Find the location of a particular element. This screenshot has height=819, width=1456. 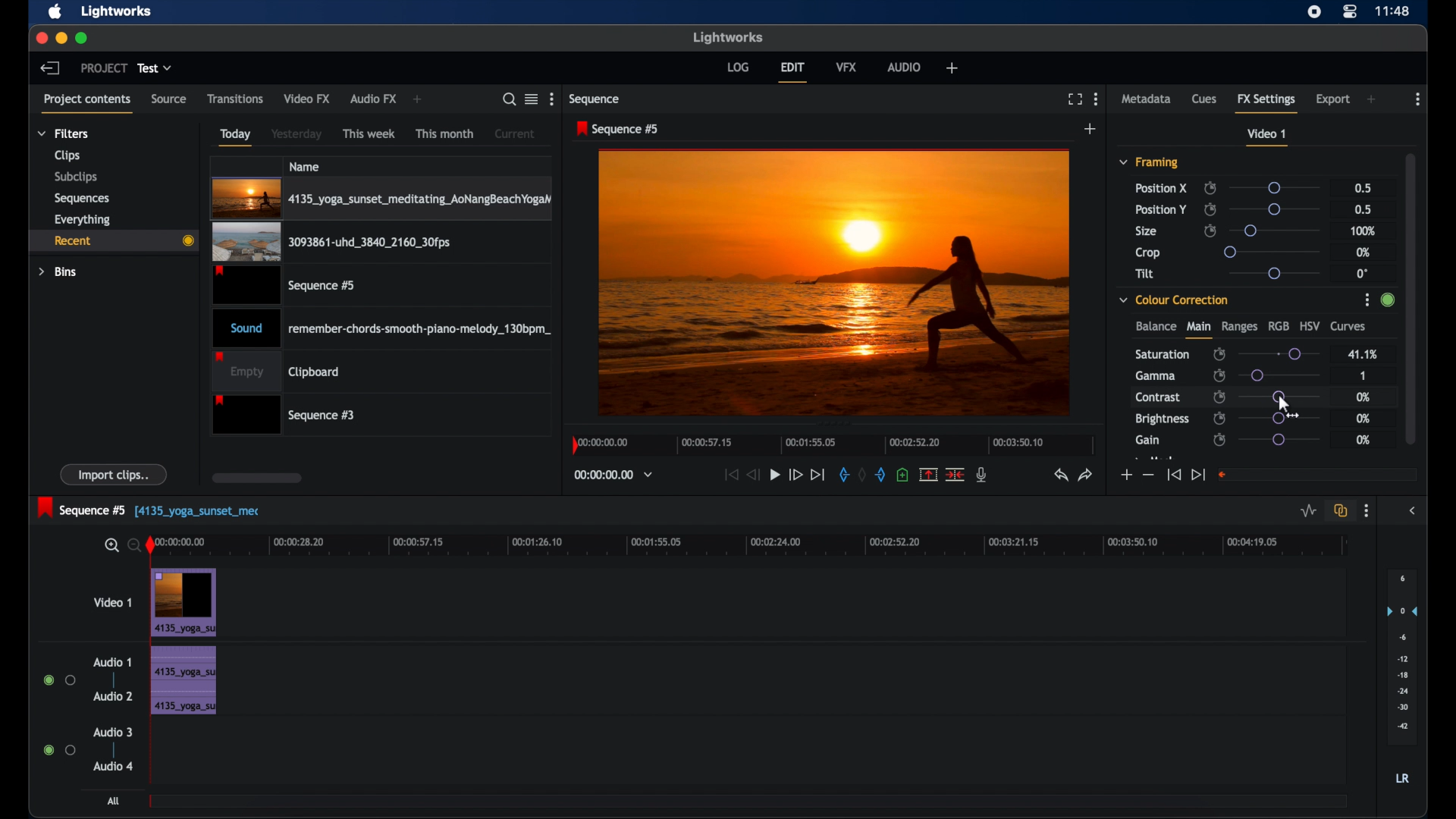

video clip highlighted is located at coordinates (381, 199).